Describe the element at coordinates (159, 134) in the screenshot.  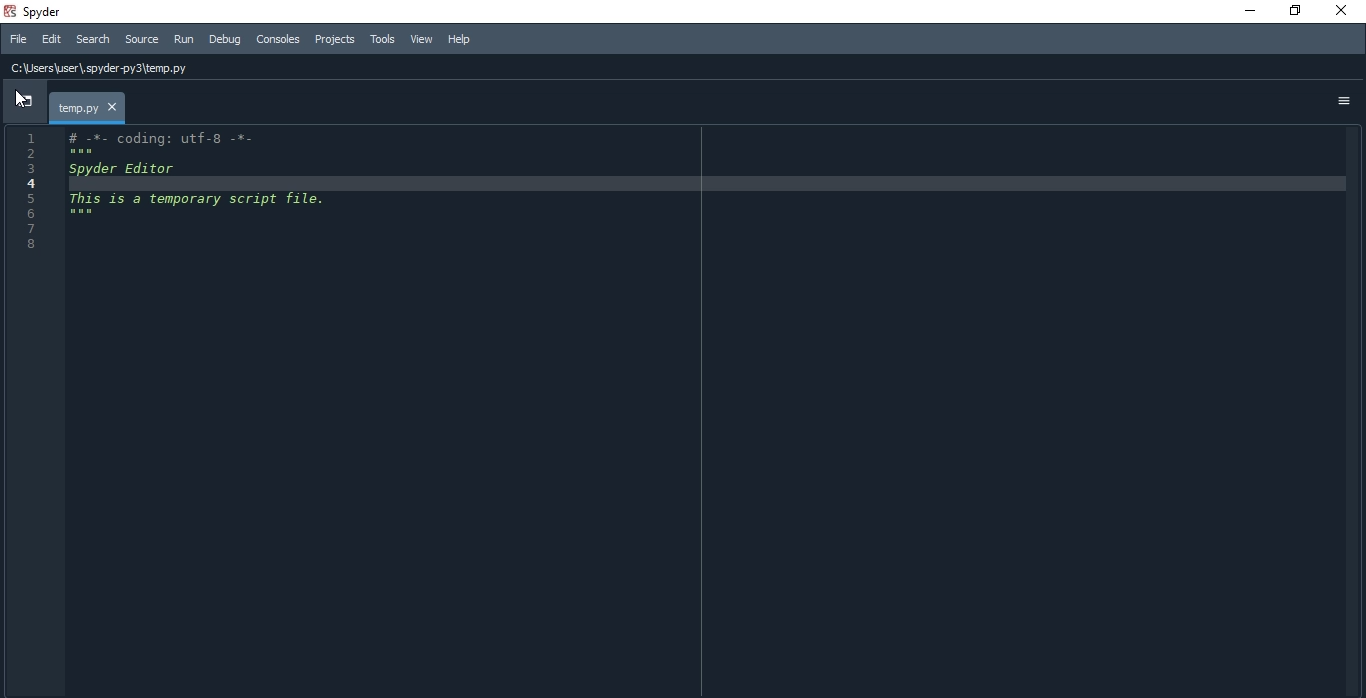
I see `1 # -*- coding: utf-8 -*-` at that location.